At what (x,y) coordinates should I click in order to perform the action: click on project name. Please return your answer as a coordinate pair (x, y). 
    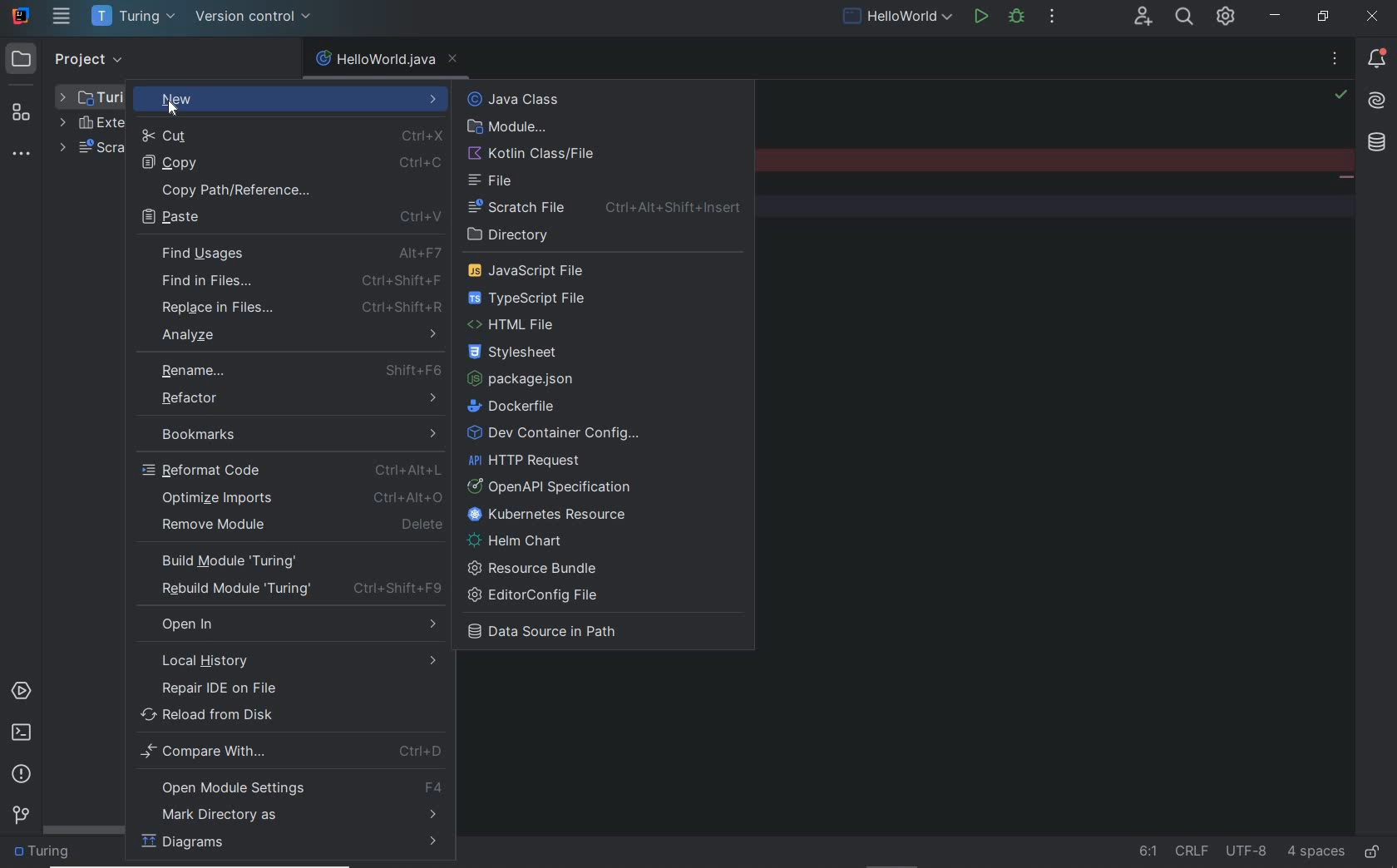
    Looking at the image, I should click on (46, 854).